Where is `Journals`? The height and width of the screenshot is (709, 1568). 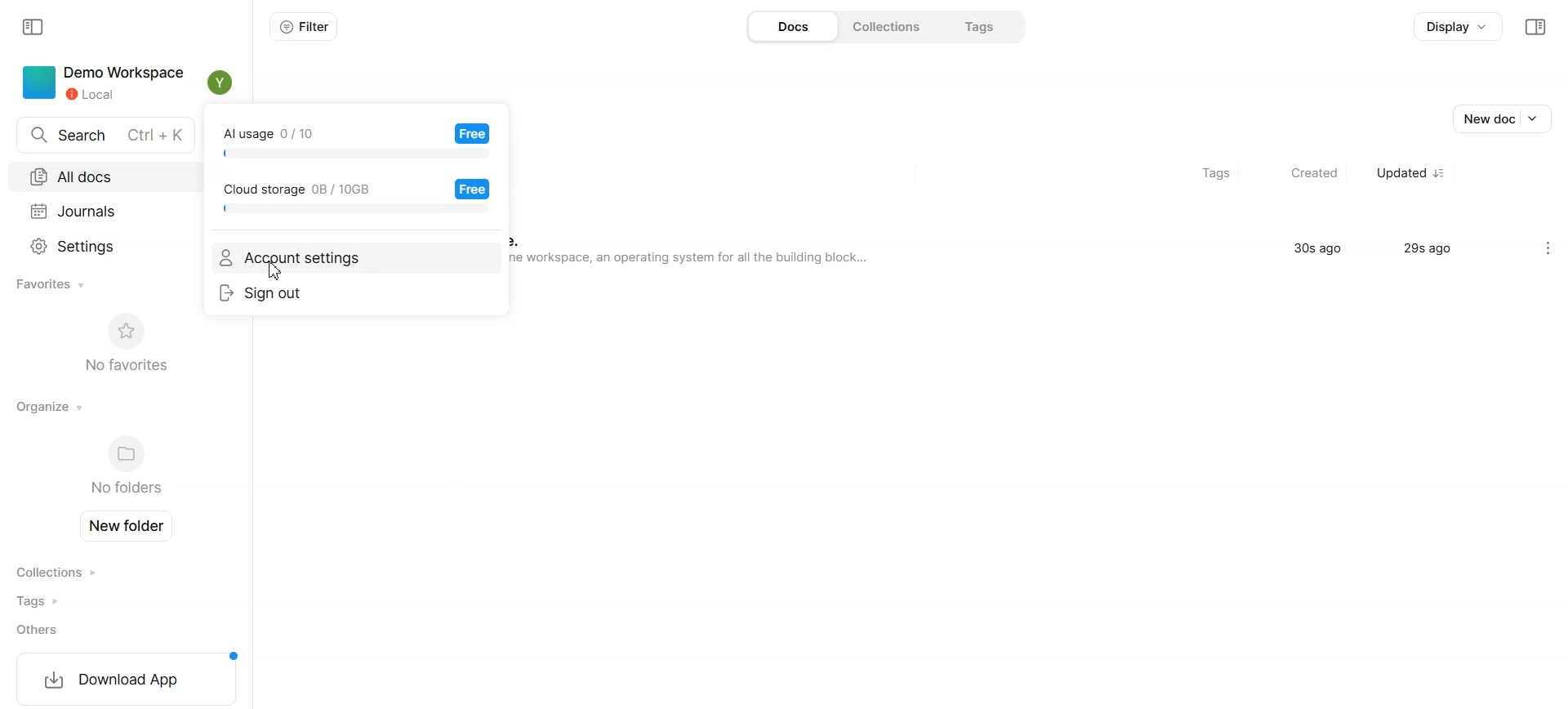 Journals is located at coordinates (100, 208).